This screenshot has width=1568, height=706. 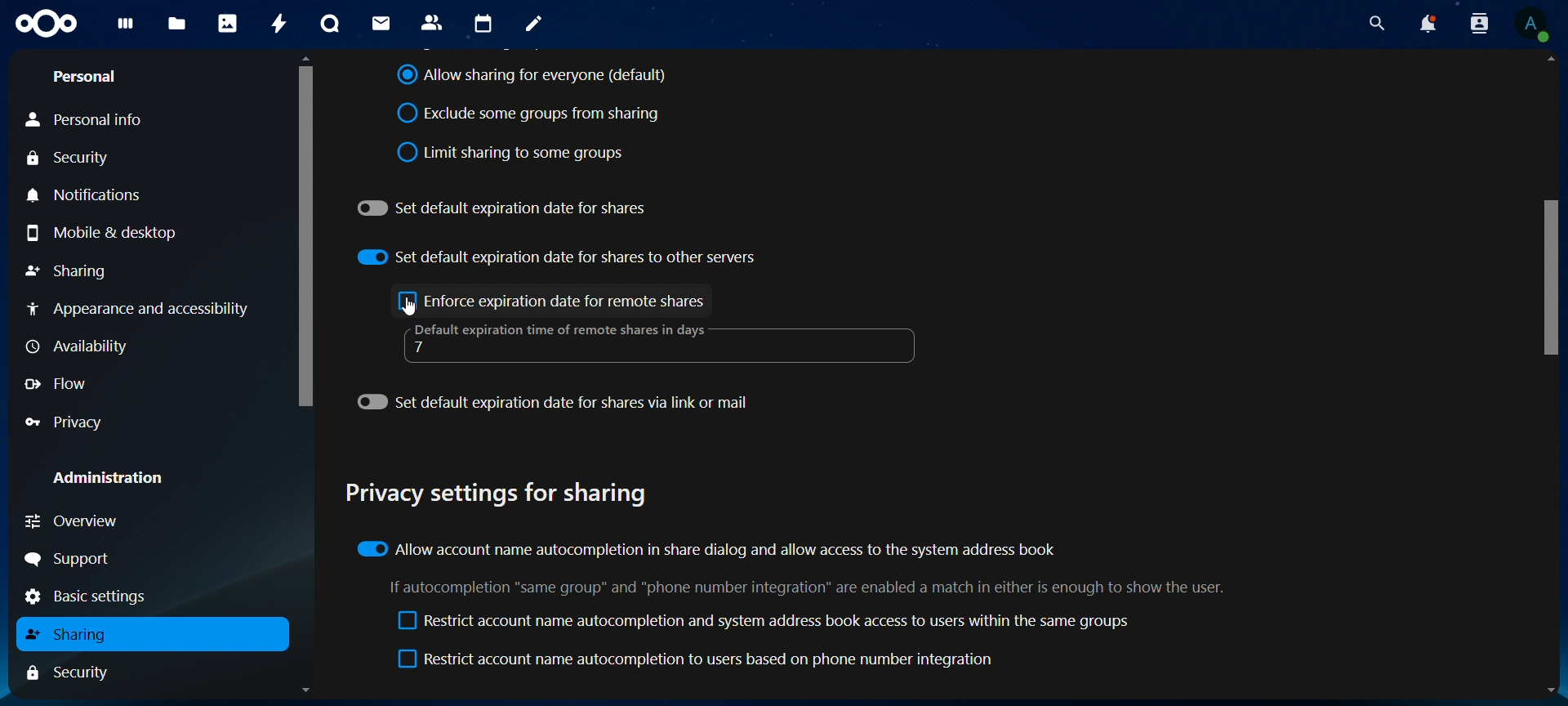 What do you see at coordinates (759, 621) in the screenshot?
I see `Restrict account name autocompletion` at bounding box center [759, 621].